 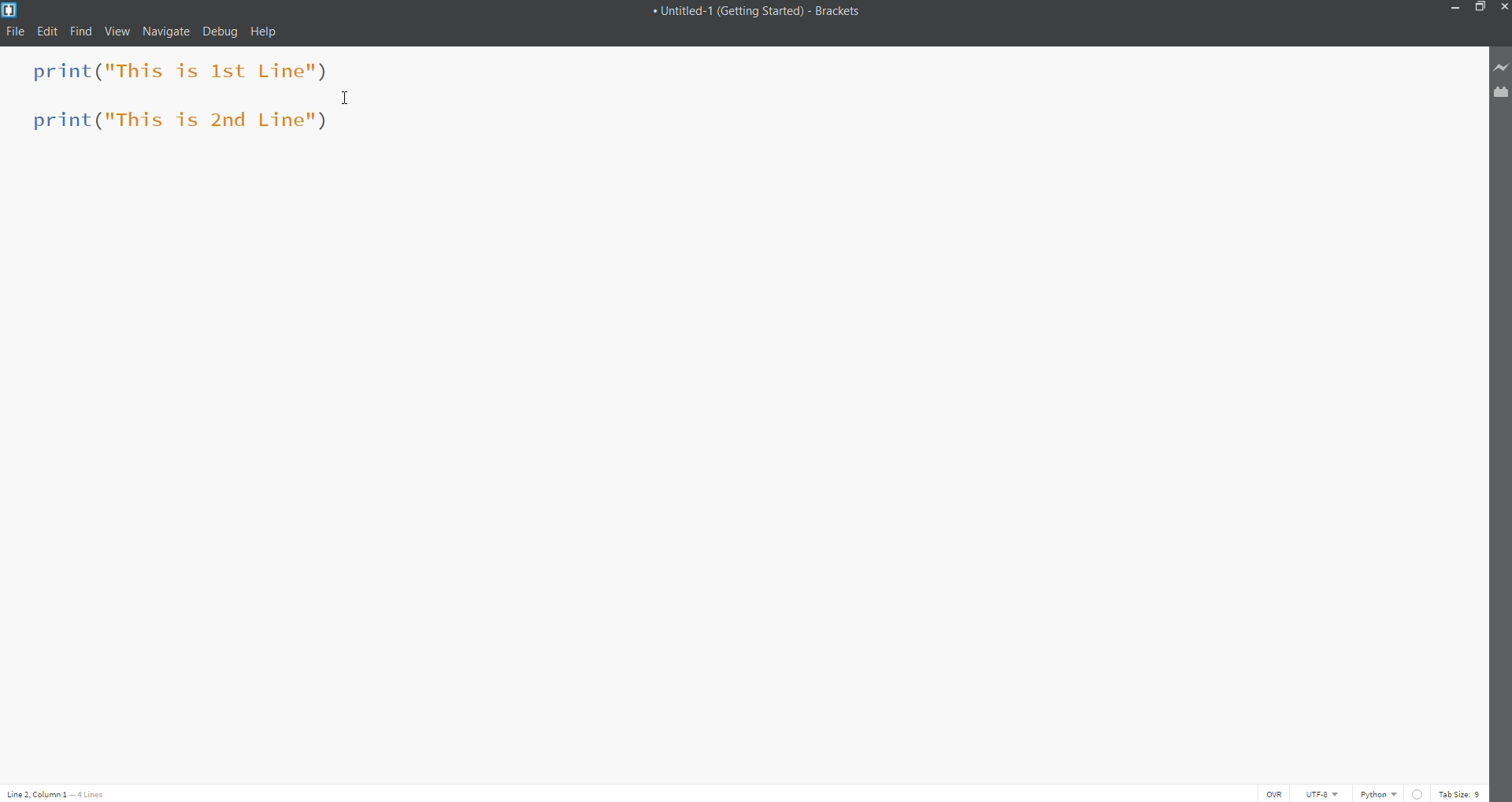 I want to click on Maximize, so click(x=1481, y=8).